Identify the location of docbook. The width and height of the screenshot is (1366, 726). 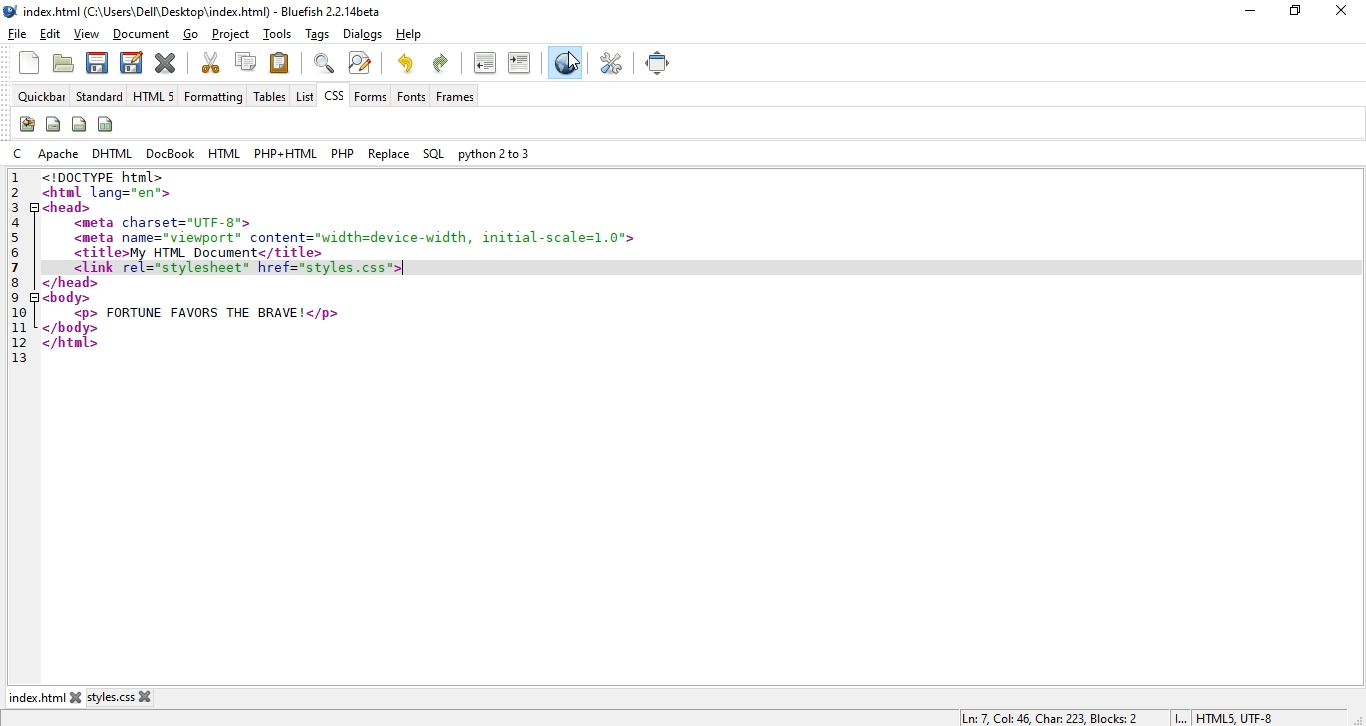
(172, 153).